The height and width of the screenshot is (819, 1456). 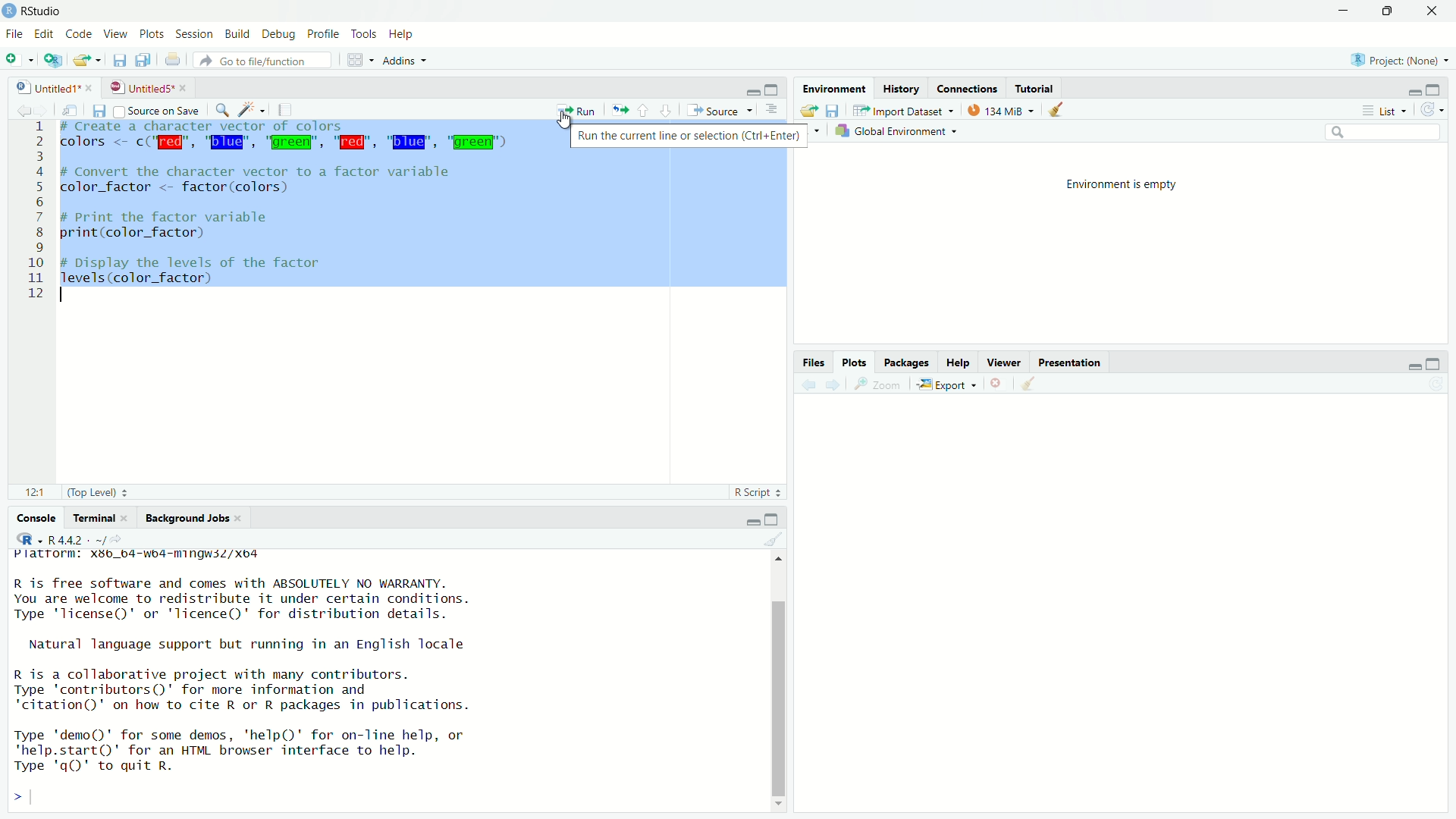 I want to click on maximize, so click(x=773, y=89).